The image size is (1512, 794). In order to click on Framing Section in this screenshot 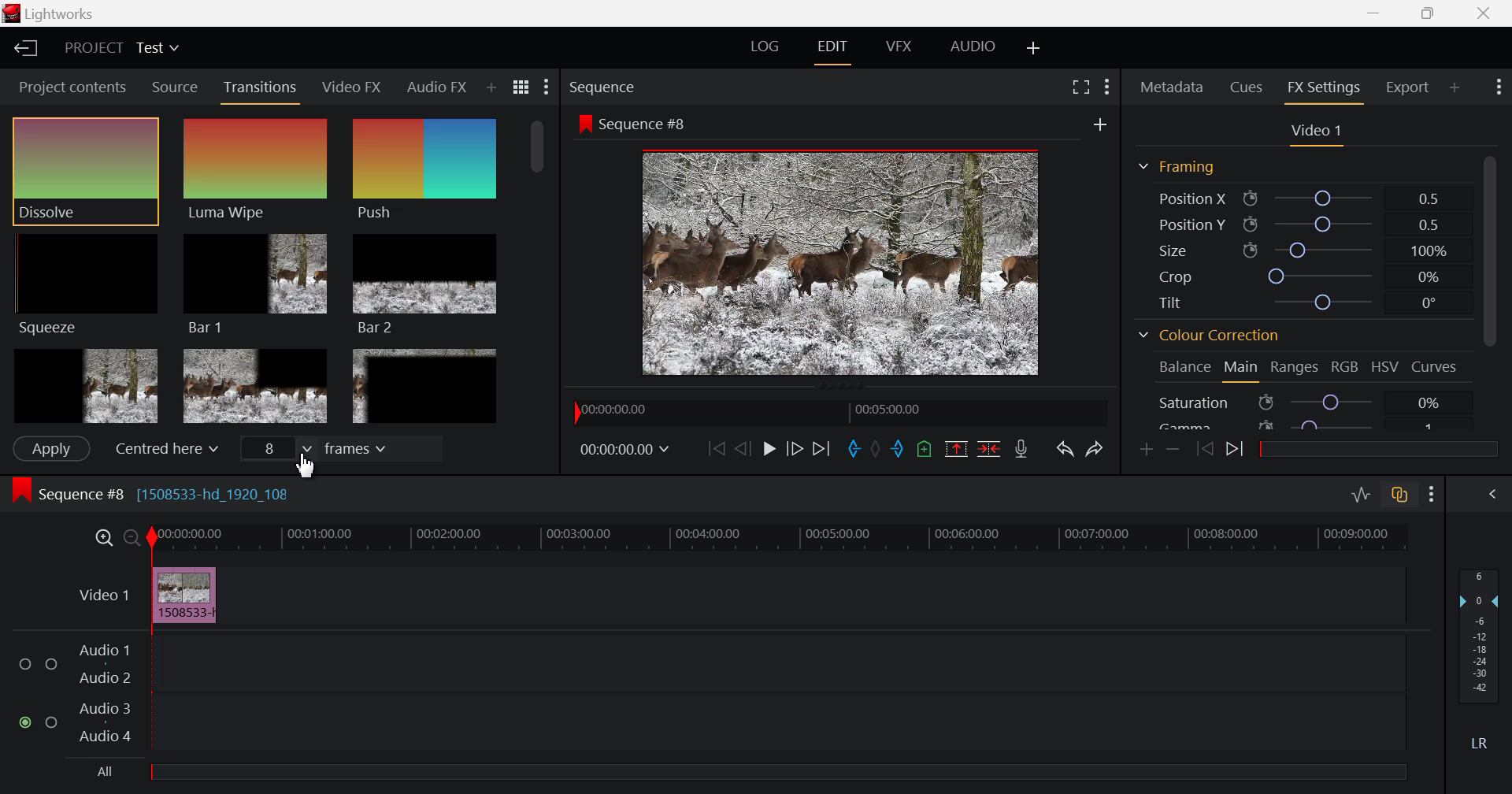, I will do `click(1181, 163)`.